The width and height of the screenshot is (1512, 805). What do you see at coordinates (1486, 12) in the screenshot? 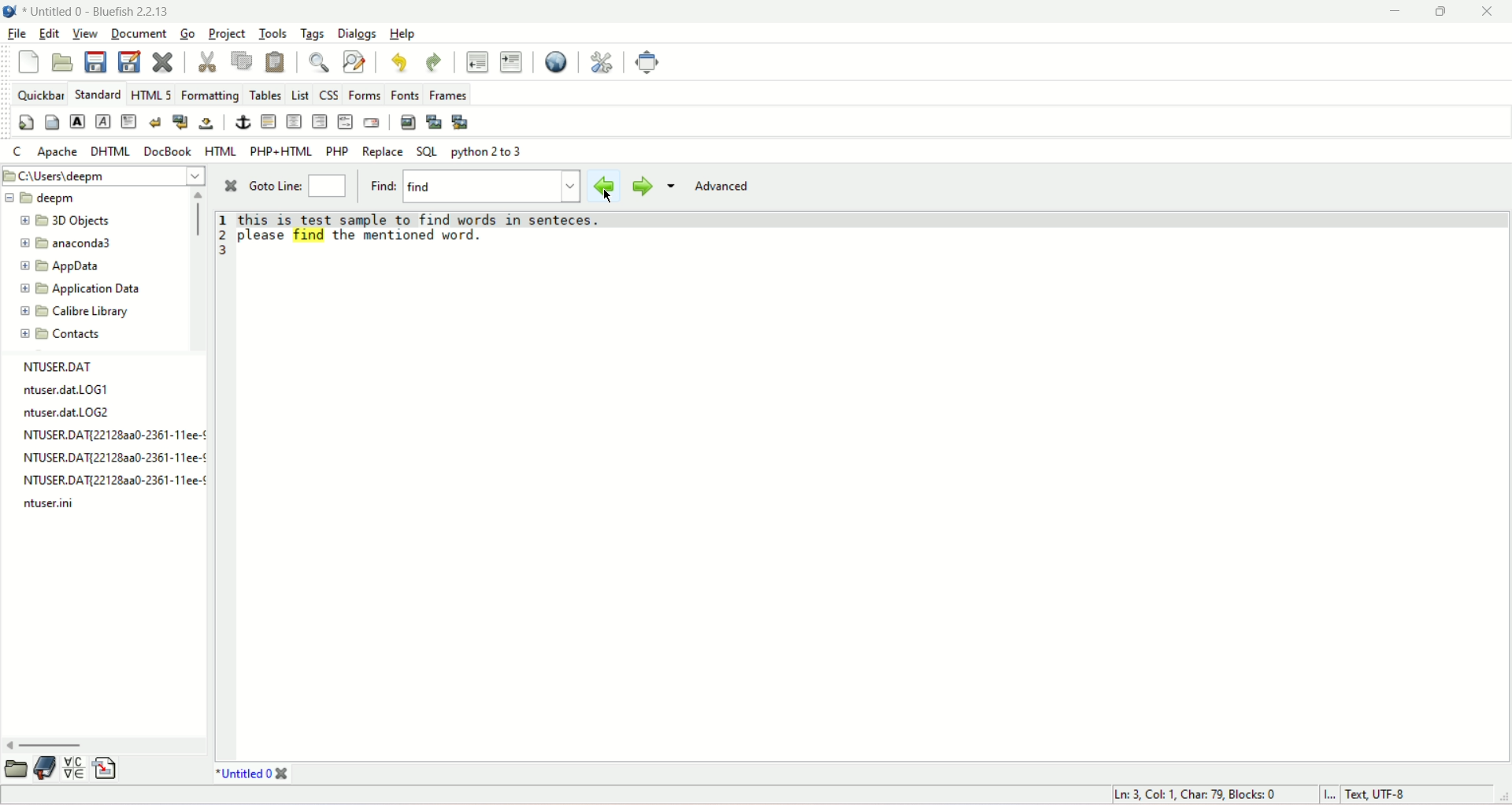
I see `close` at bounding box center [1486, 12].